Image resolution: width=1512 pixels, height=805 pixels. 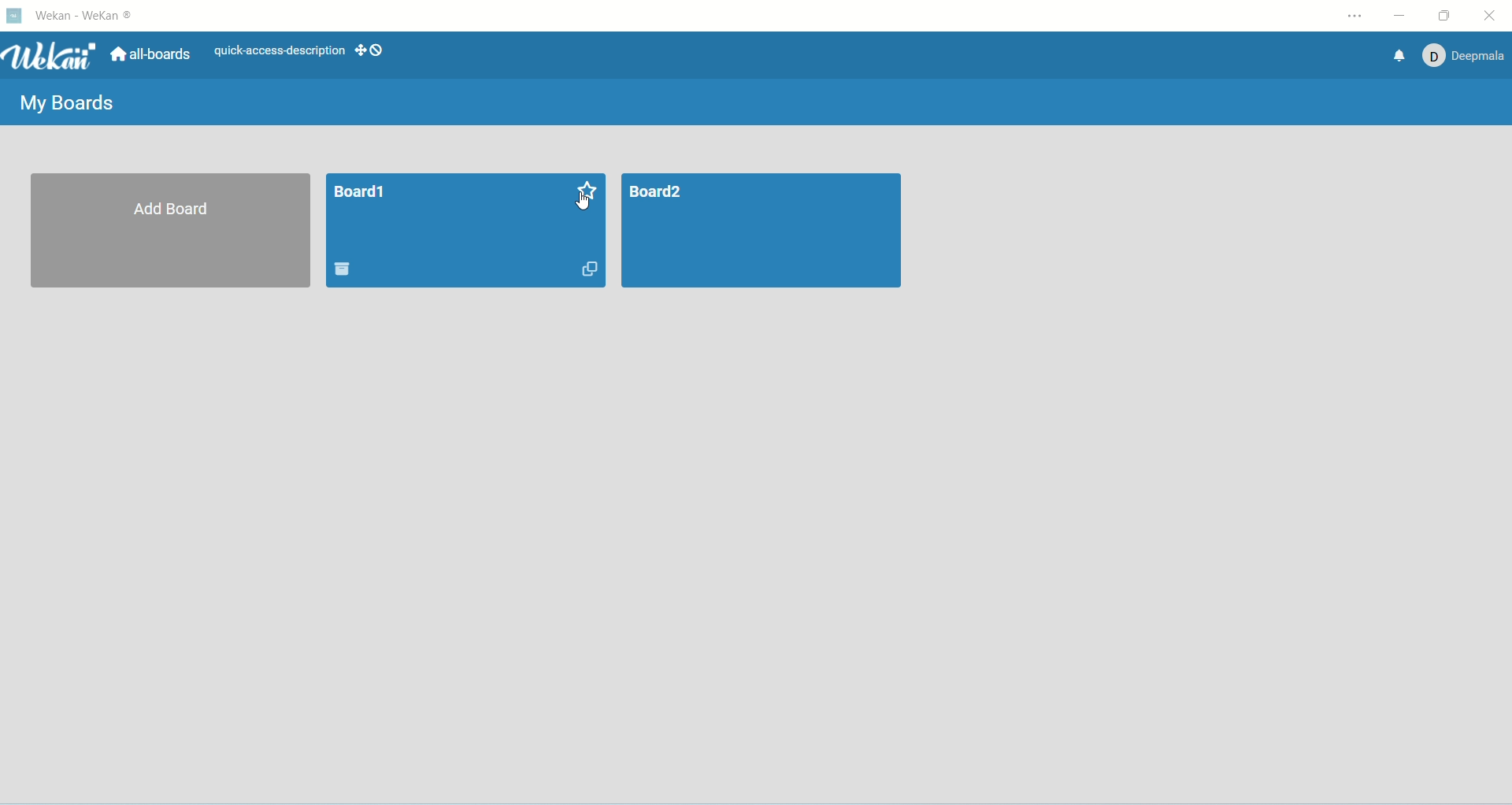 I want to click on cursor, so click(x=584, y=203).